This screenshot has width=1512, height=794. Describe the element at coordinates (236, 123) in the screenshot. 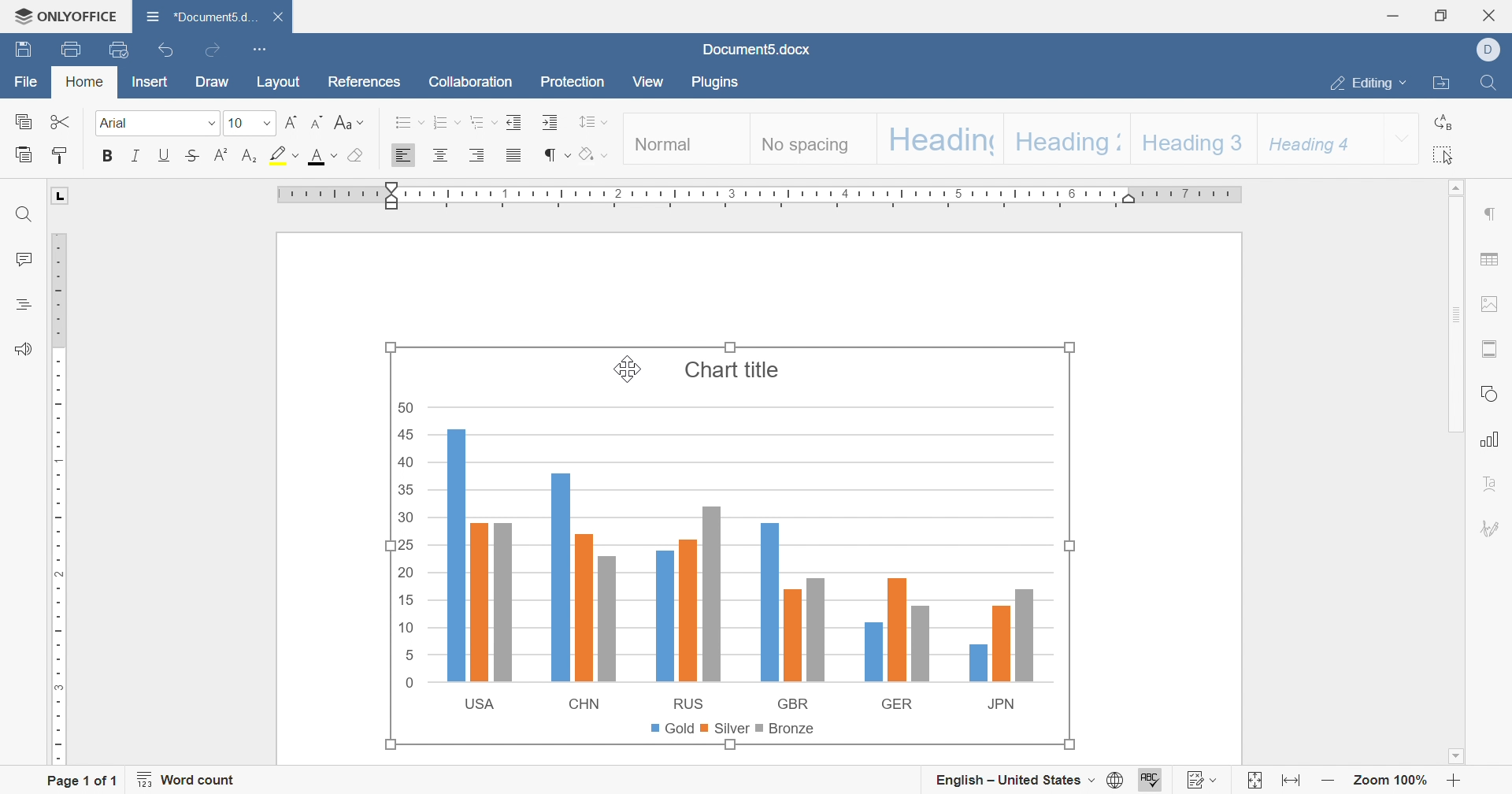

I see `10` at that location.